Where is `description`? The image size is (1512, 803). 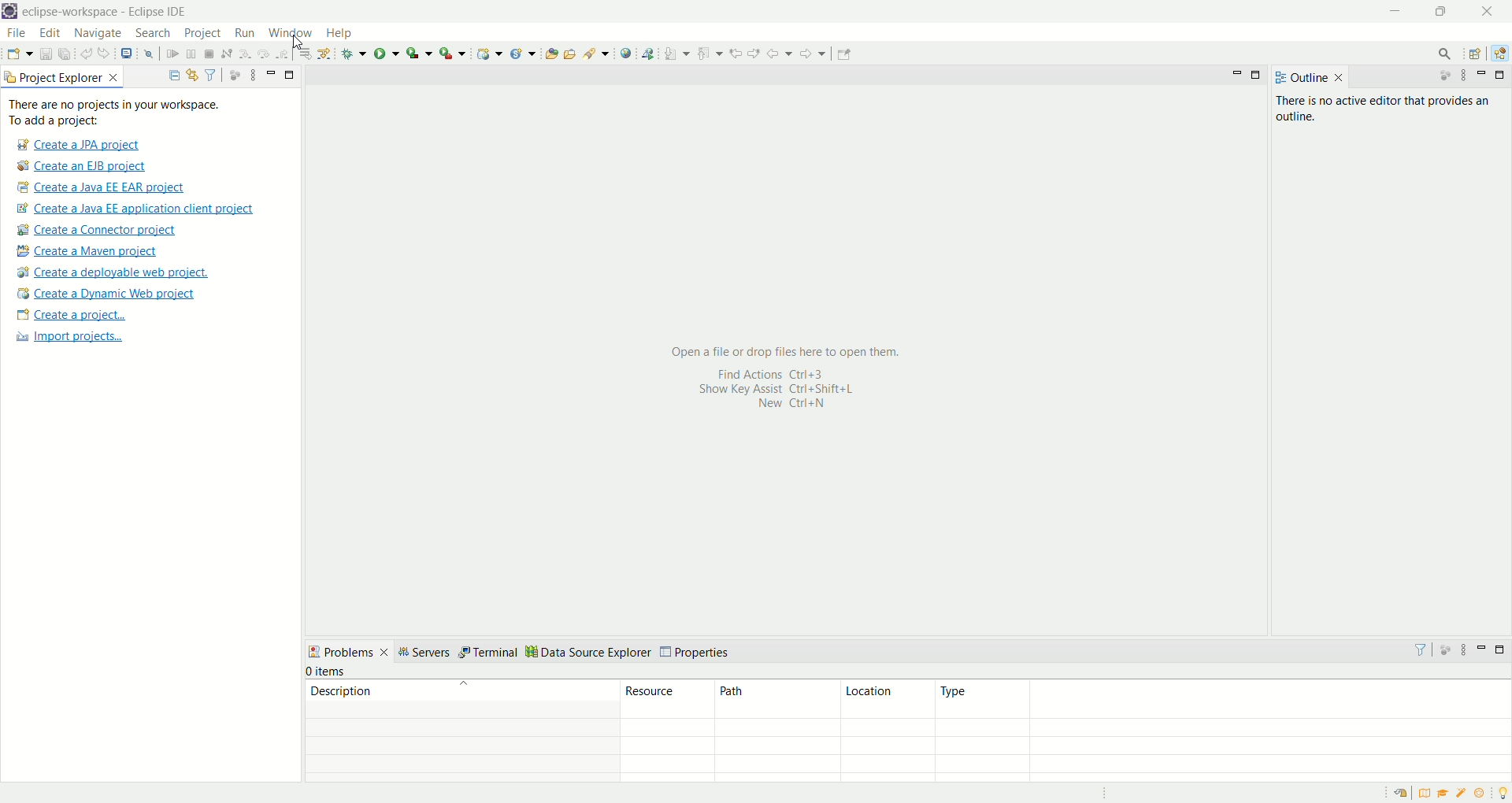 description is located at coordinates (459, 698).